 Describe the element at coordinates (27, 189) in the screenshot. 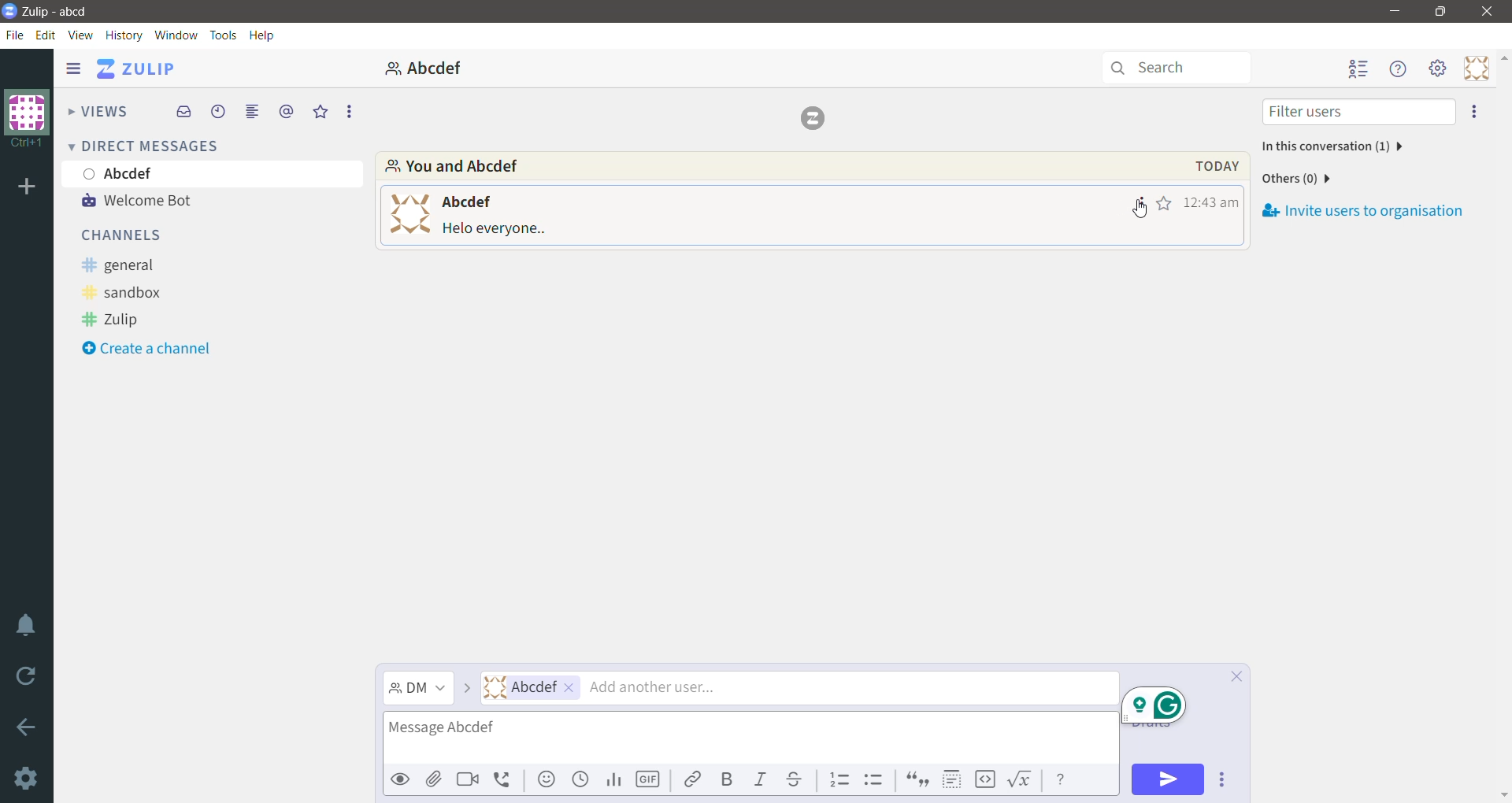

I see `Organization Name` at that location.